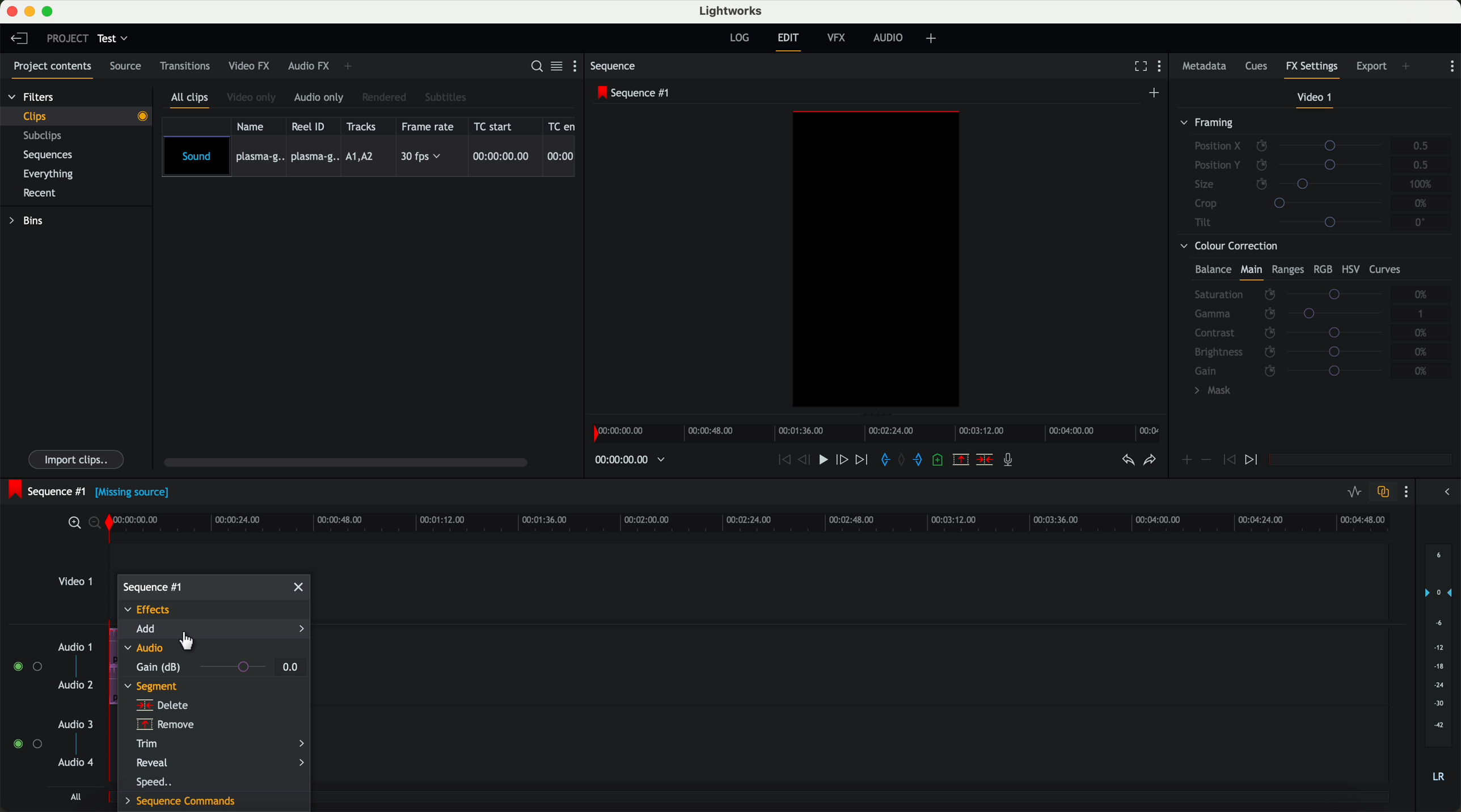  What do you see at coordinates (75, 585) in the screenshot?
I see `video 1` at bounding box center [75, 585].